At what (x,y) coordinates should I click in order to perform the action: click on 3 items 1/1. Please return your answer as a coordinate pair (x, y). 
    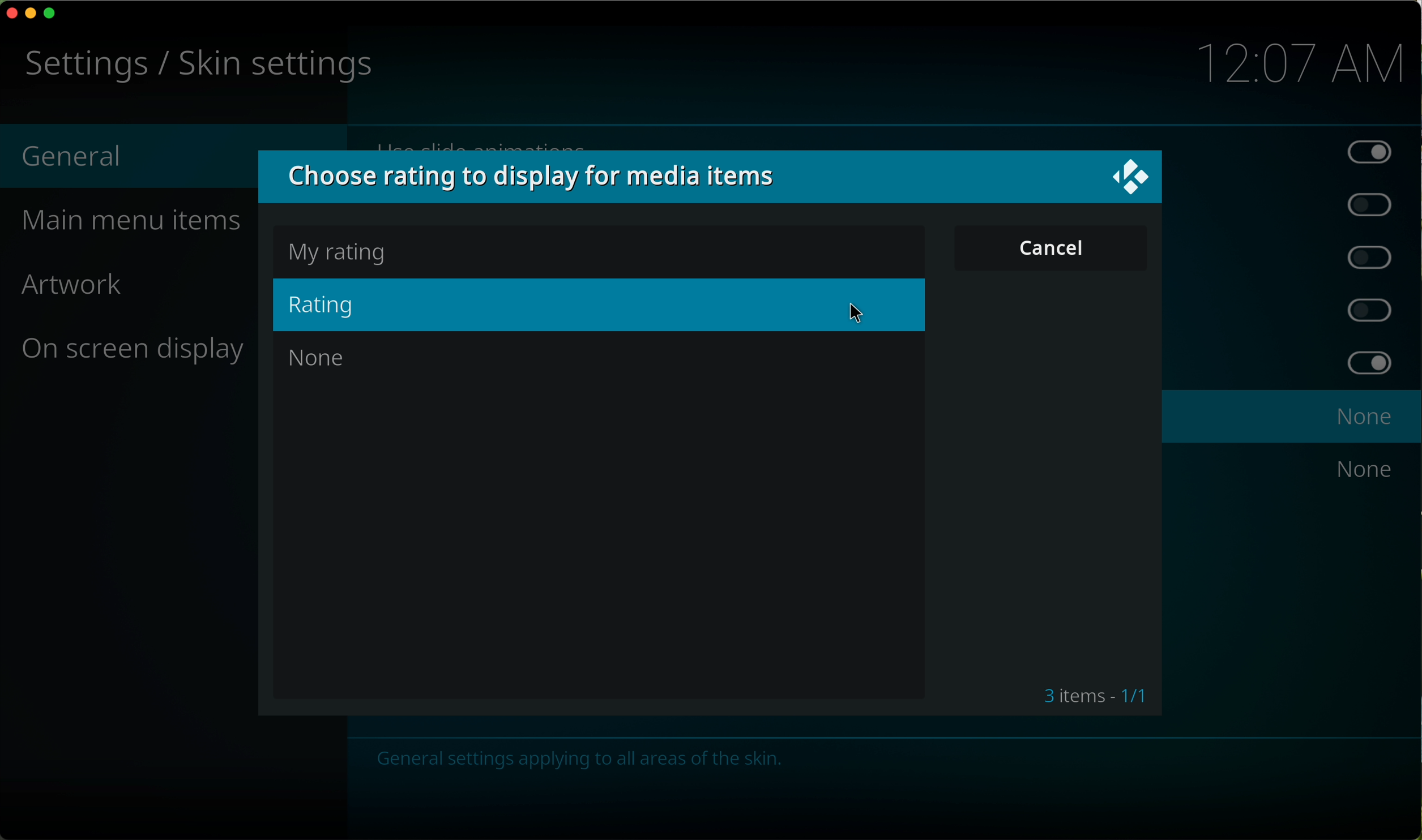
    Looking at the image, I should click on (1095, 696).